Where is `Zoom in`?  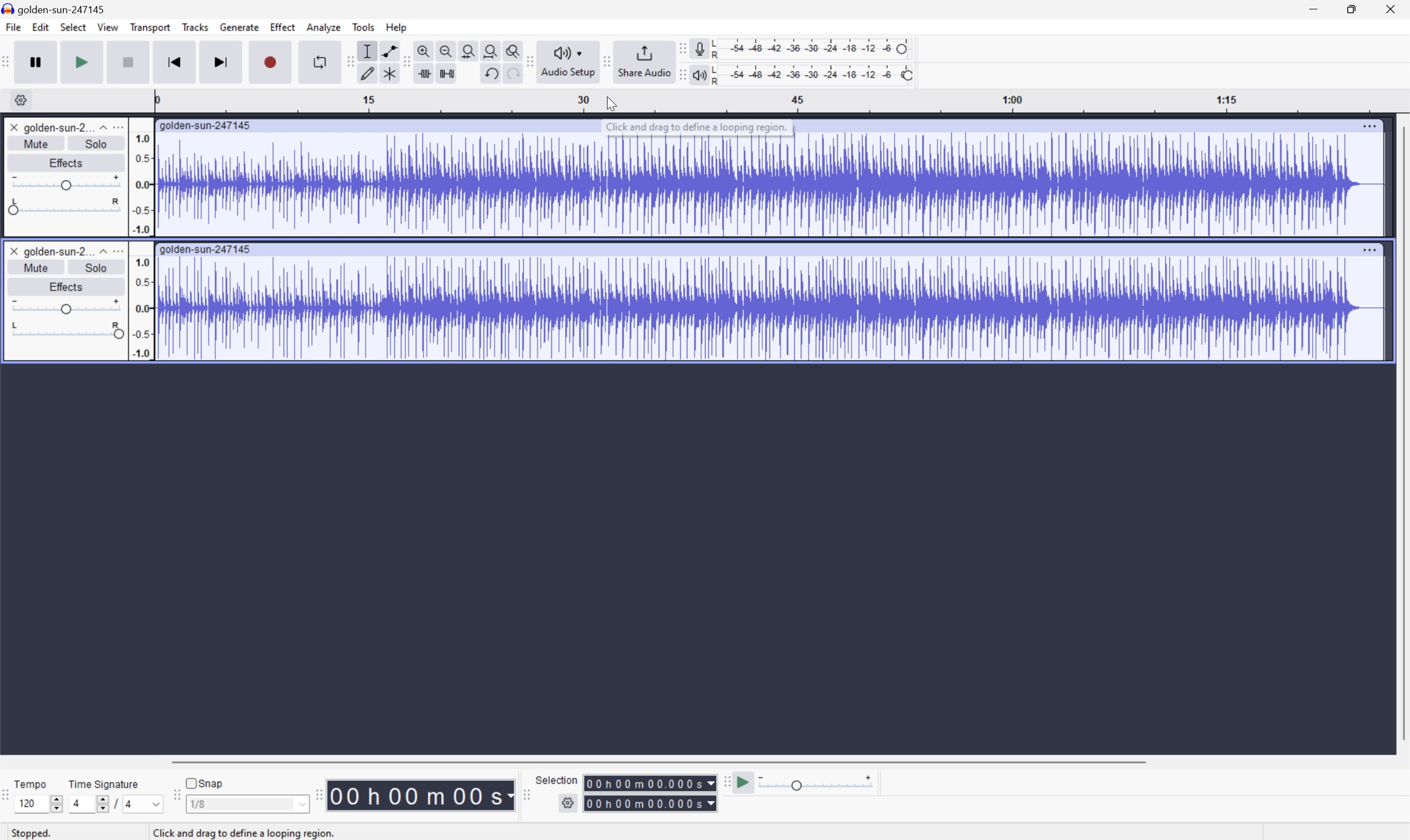 Zoom in is located at coordinates (424, 50).